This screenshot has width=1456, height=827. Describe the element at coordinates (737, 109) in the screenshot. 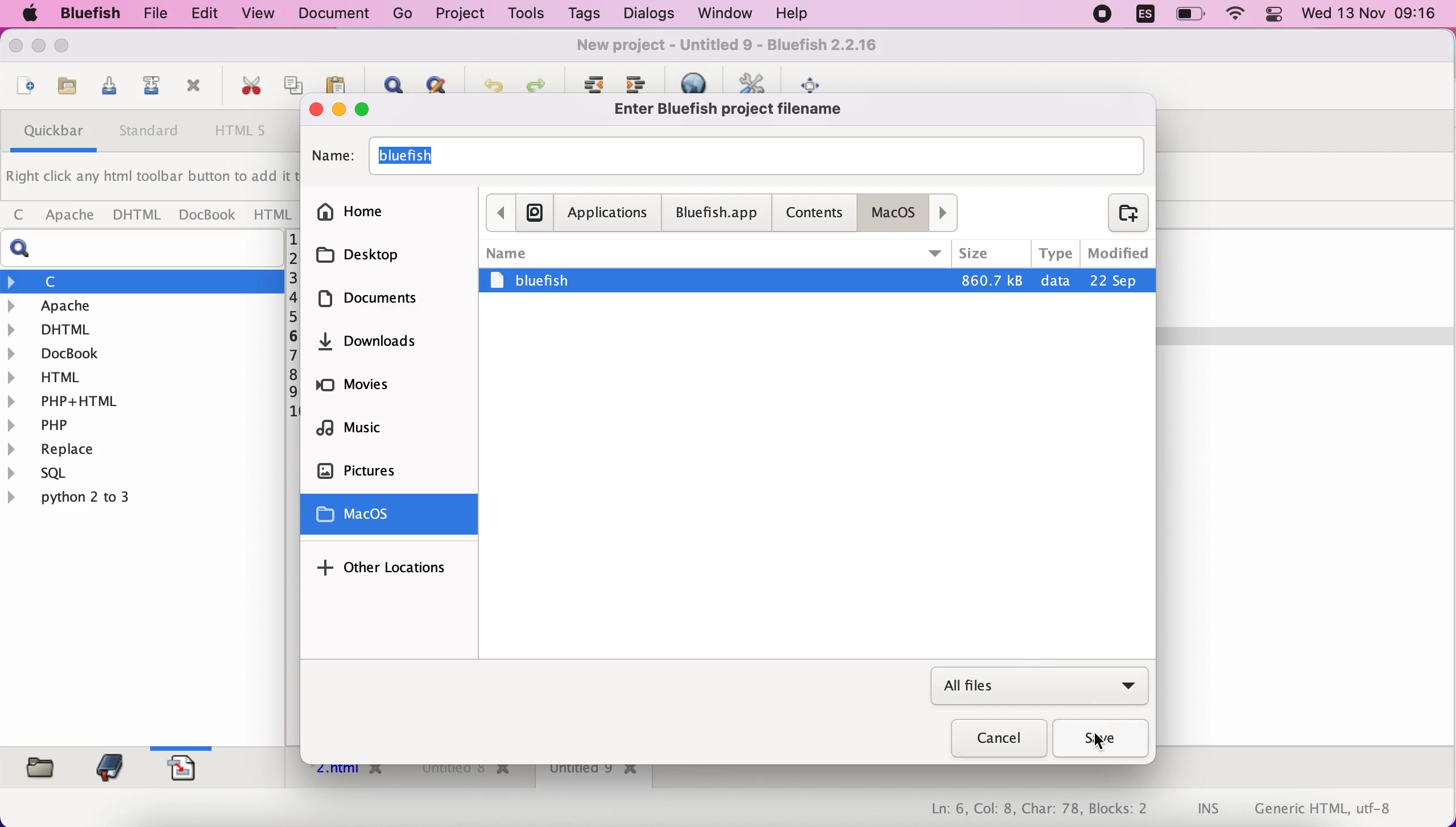

I see `title` at that location.